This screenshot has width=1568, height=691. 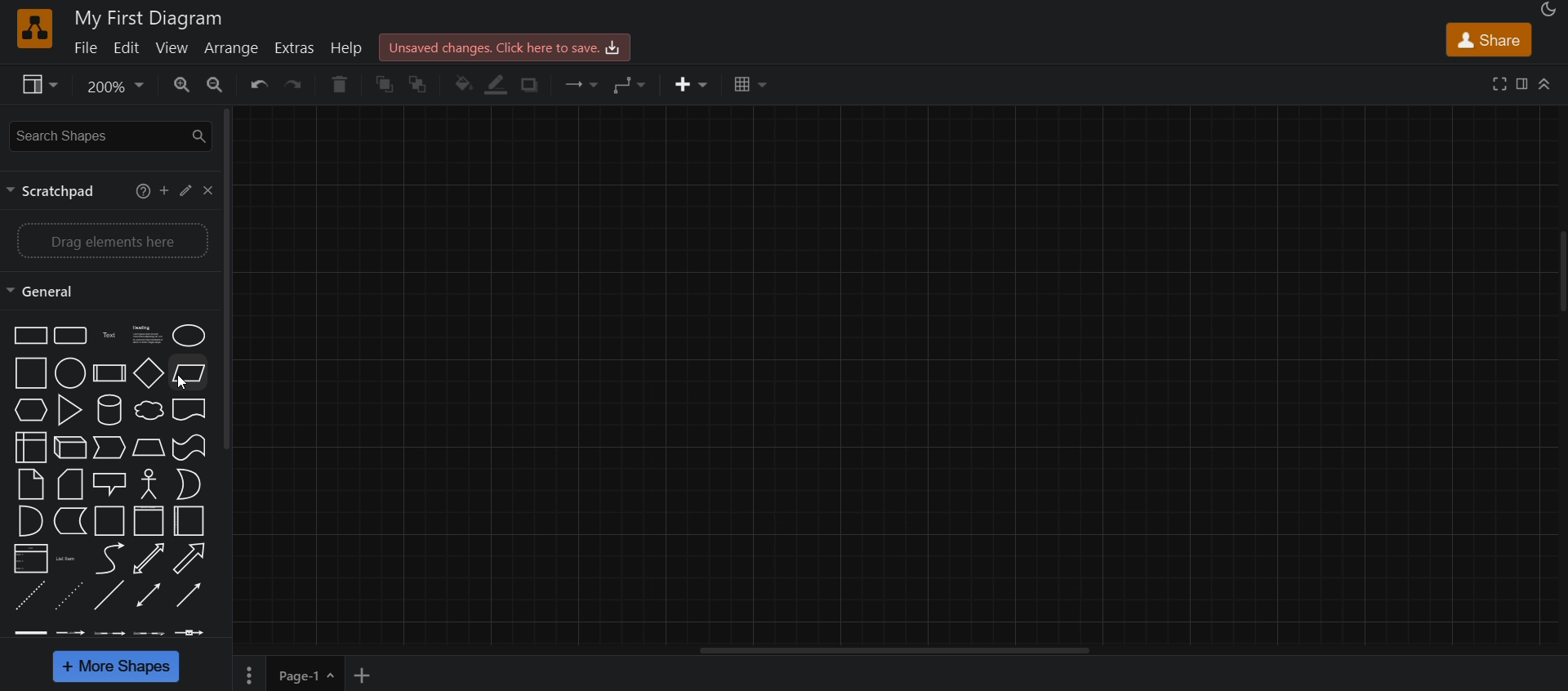 I want to click on redo, so click(x=295, y=86).